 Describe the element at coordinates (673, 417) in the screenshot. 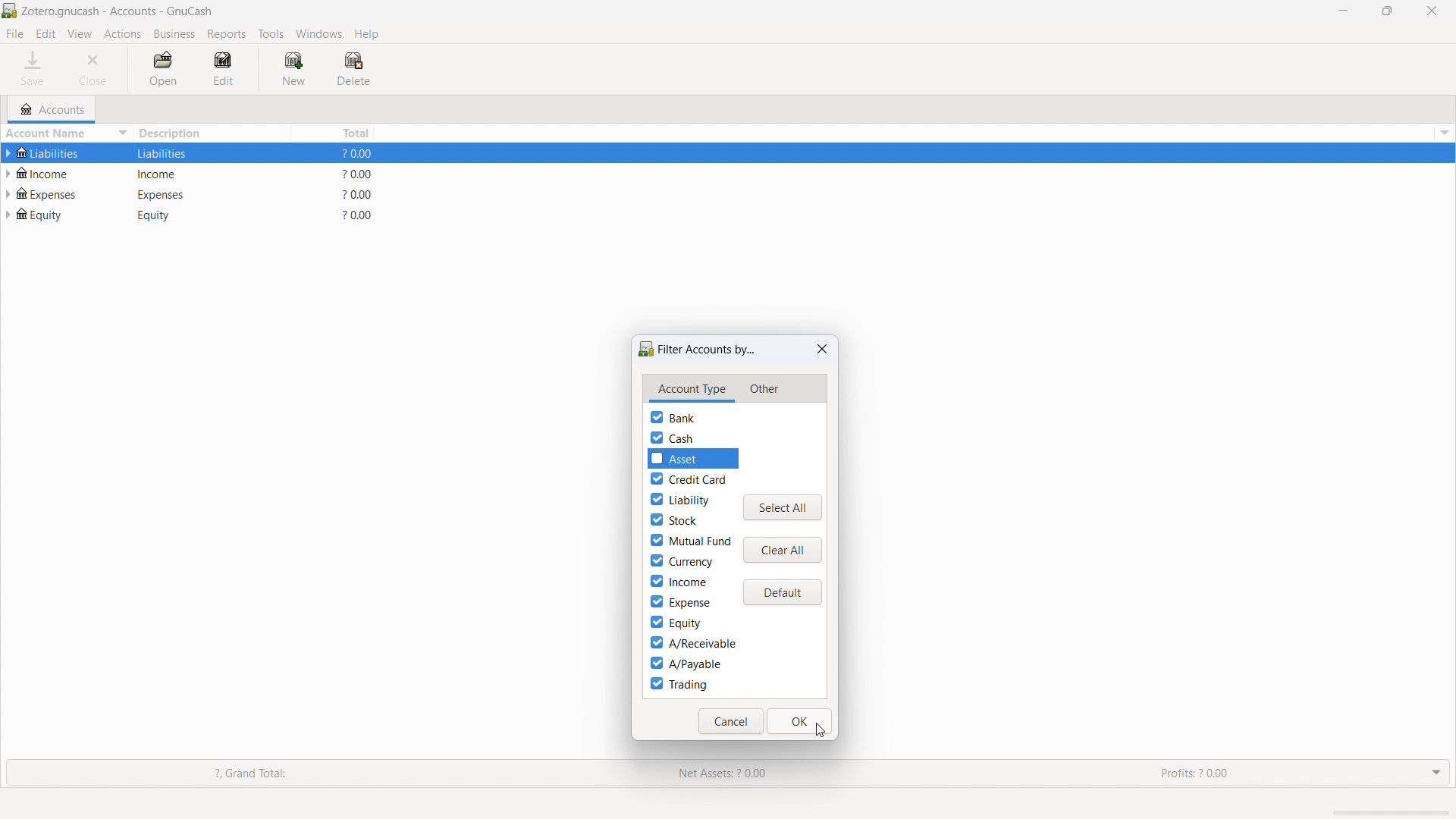

I see `bank` at that location.